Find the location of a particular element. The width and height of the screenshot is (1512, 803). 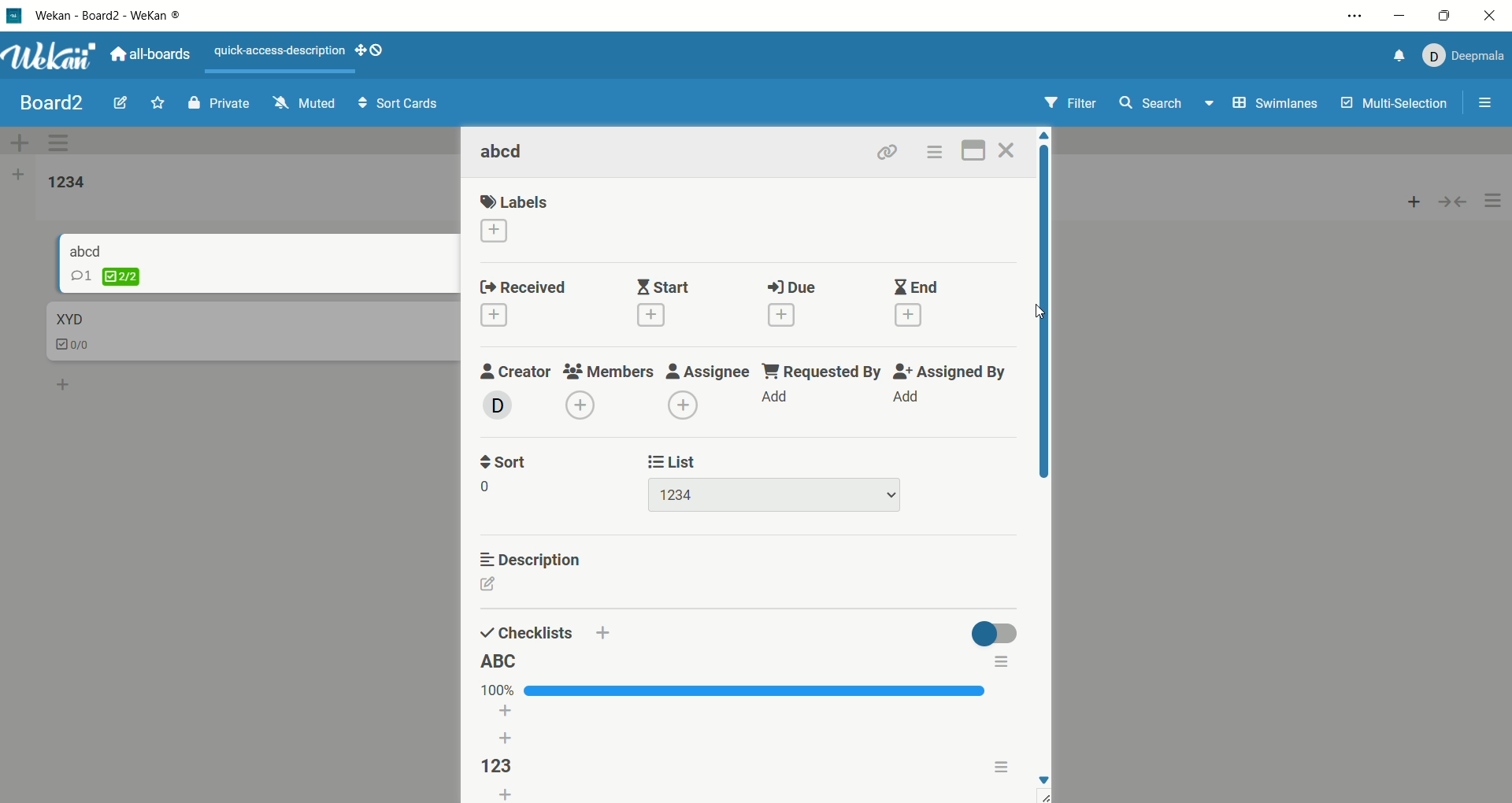

options is located at coordinates (934, 152).